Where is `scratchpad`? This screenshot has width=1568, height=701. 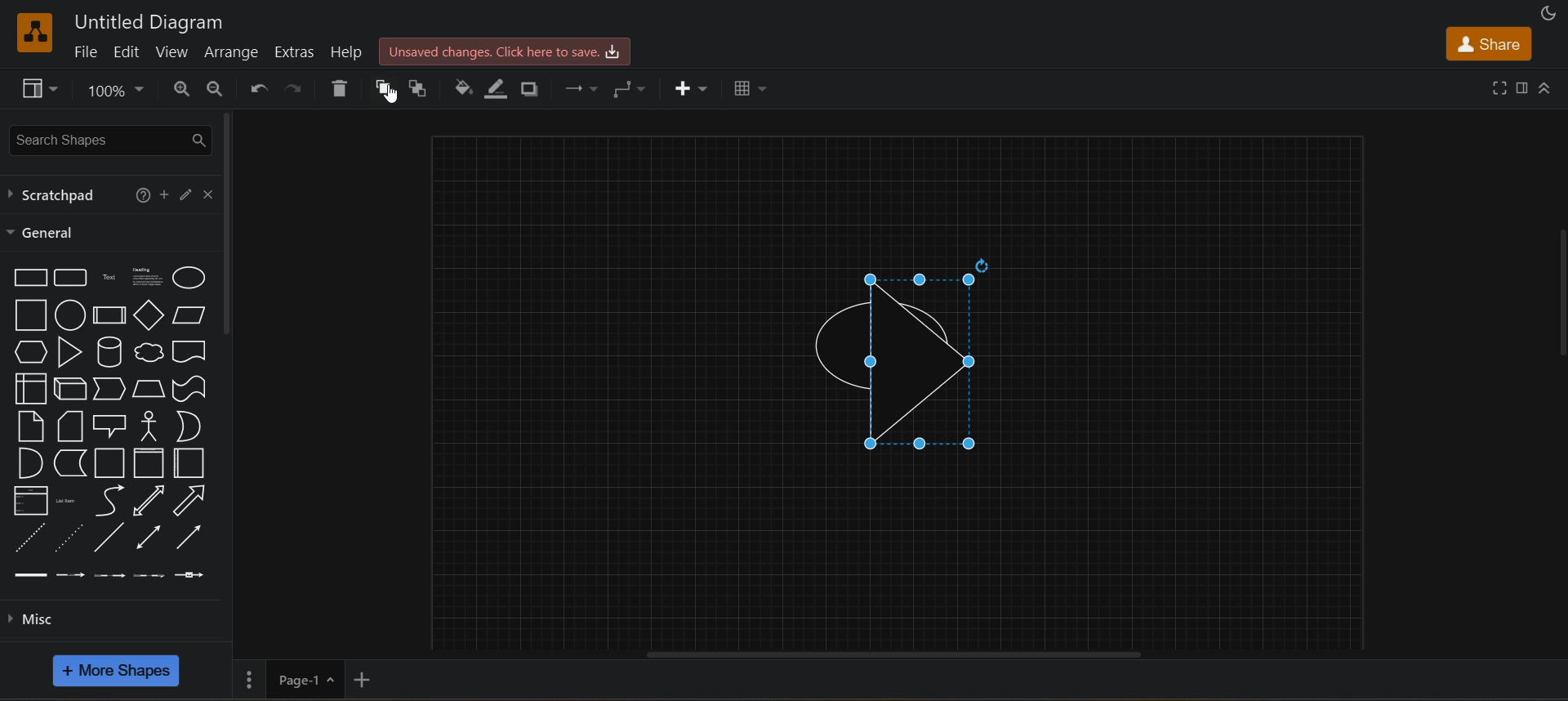 scratchpad is located at coordinates (57, 194).